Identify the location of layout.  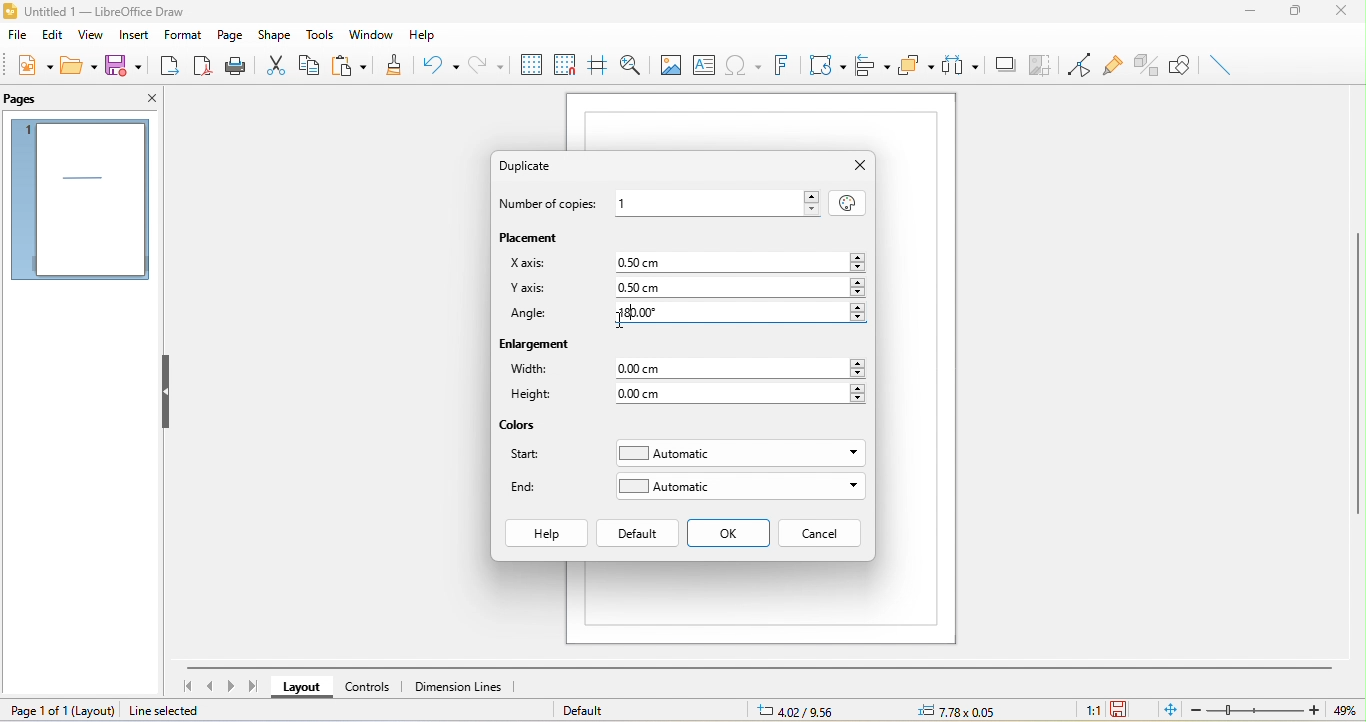
(298, 688).